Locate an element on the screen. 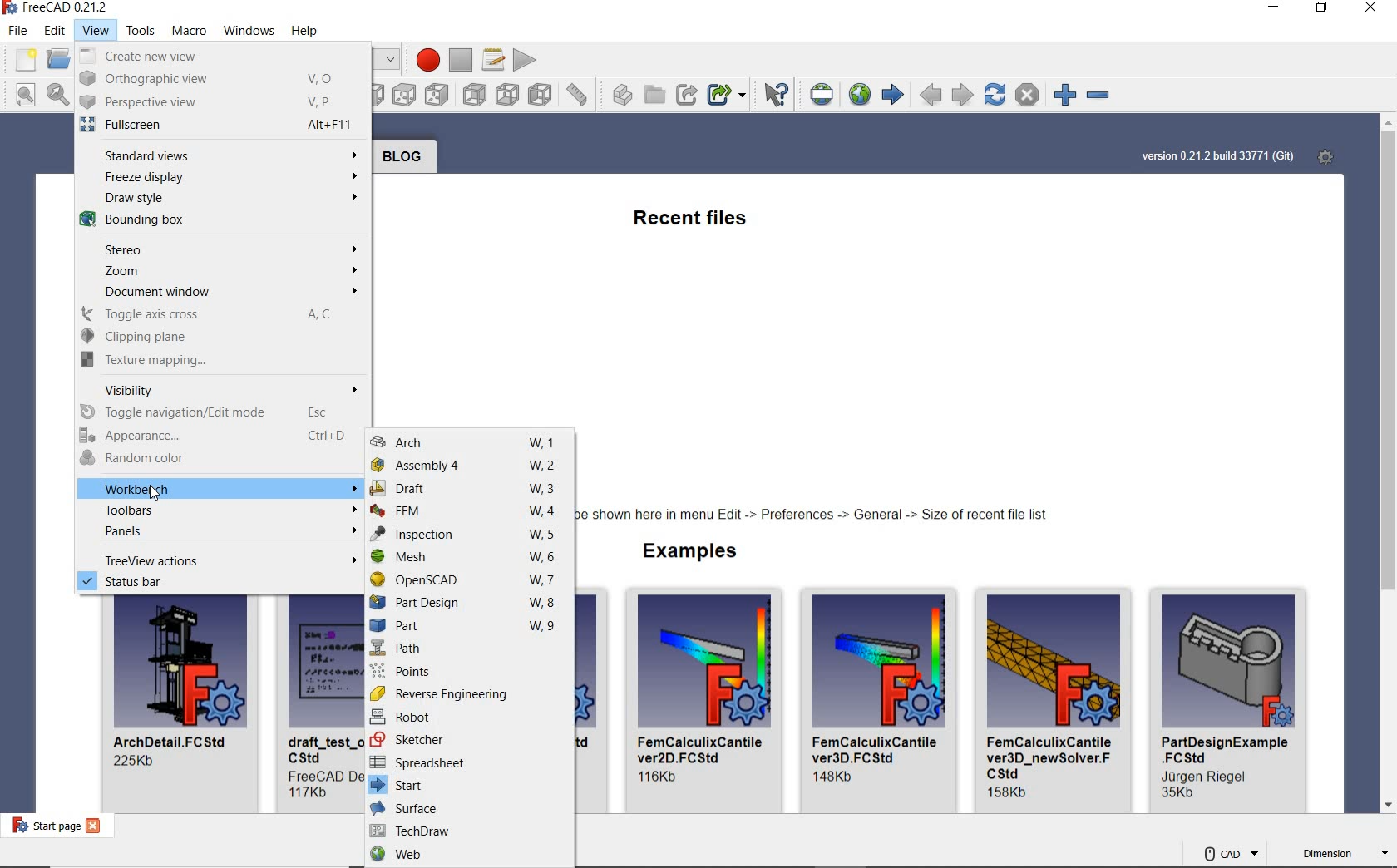 The image size is (1397, 868). system version info is located at coordinates (1217, 156).